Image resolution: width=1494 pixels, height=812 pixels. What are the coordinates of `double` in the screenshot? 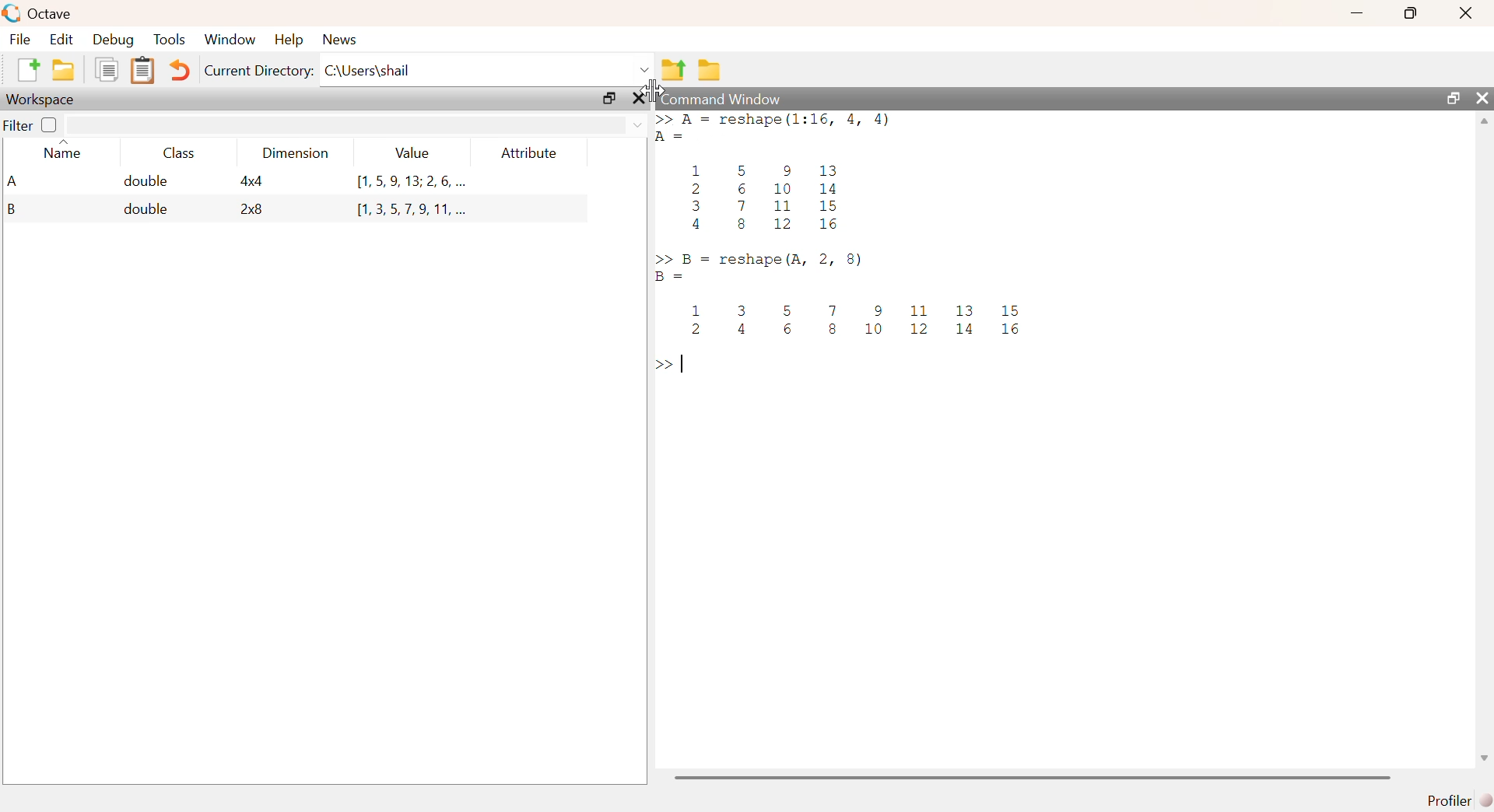 It's located at (148, 211).